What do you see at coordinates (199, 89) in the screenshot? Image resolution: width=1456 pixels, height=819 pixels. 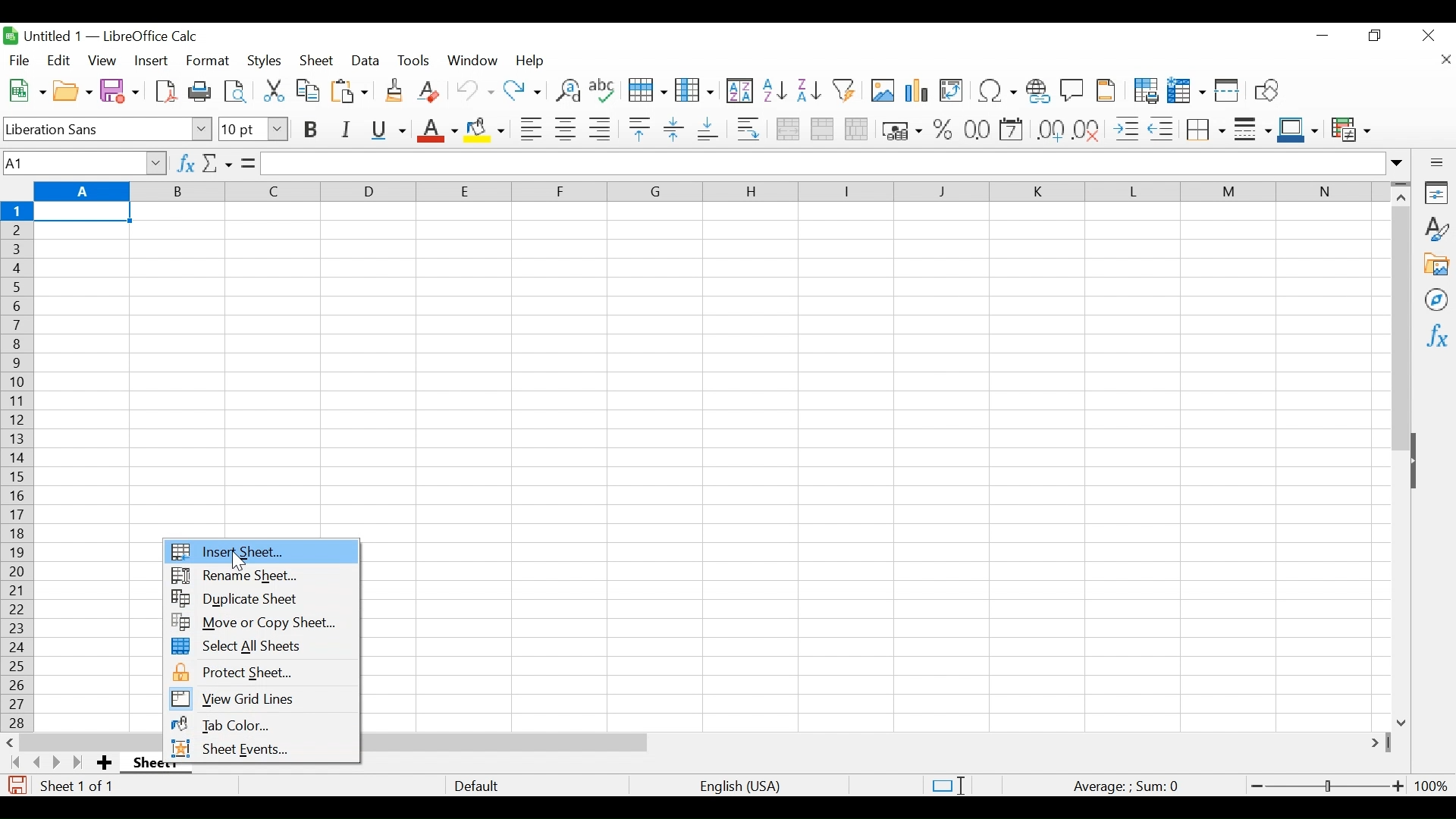 I see `Print` at bounding box center [199, 89].